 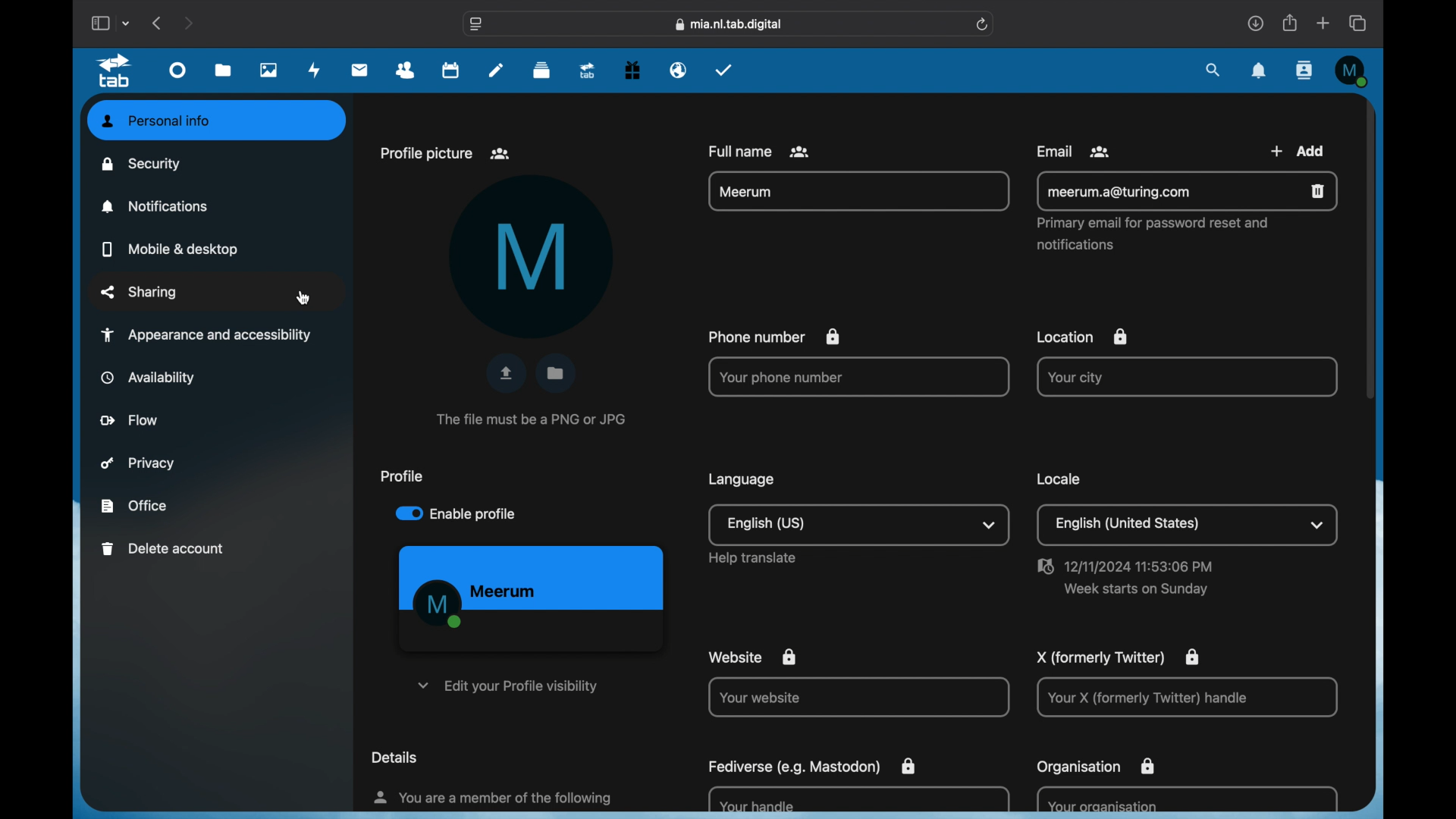 What do you see at coordinates (1359, 23) in the screenshot?
I see `show tab overview` at bounding box center [1359, 23].